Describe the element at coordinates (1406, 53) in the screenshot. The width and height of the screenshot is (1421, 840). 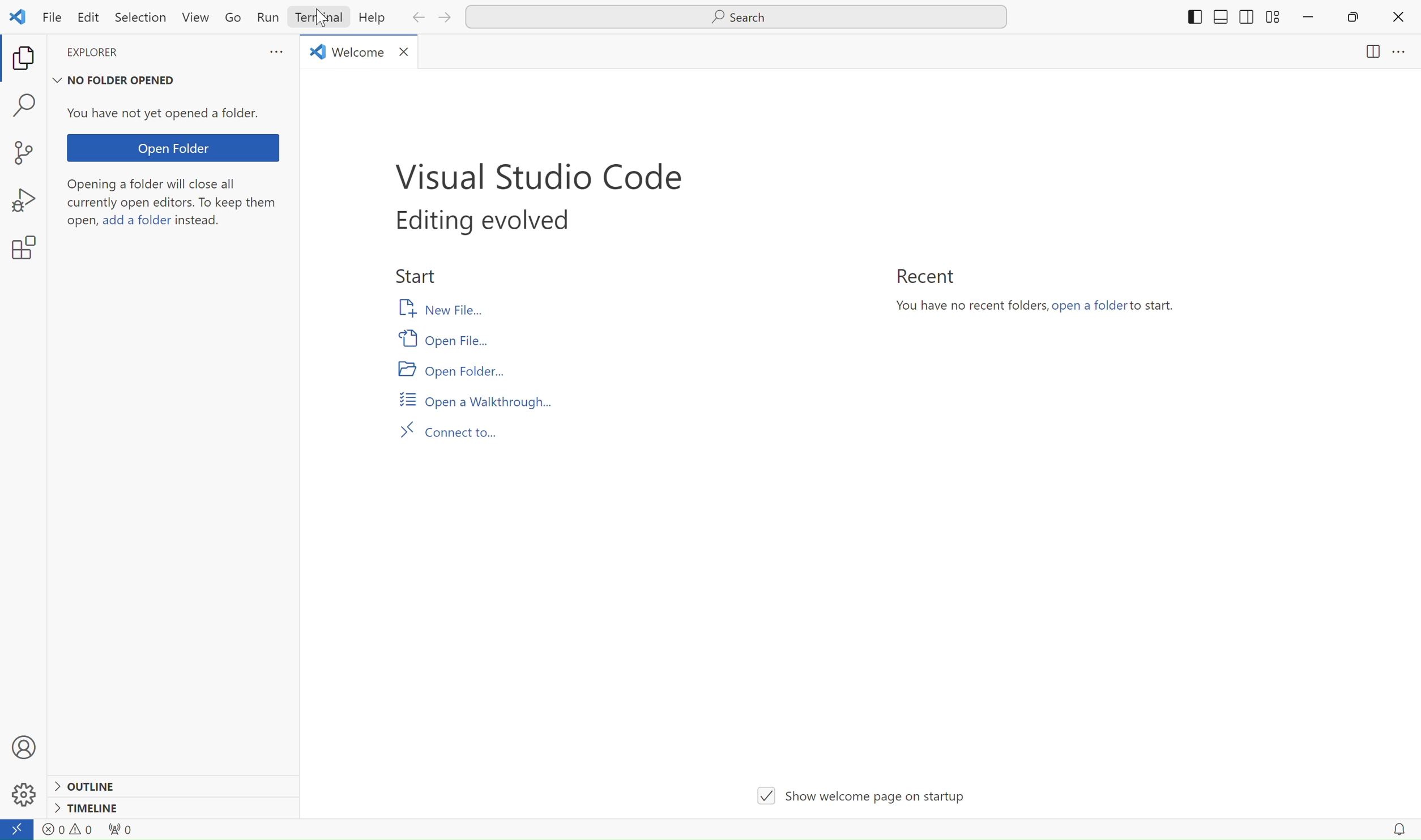
I see `menu` at that location.